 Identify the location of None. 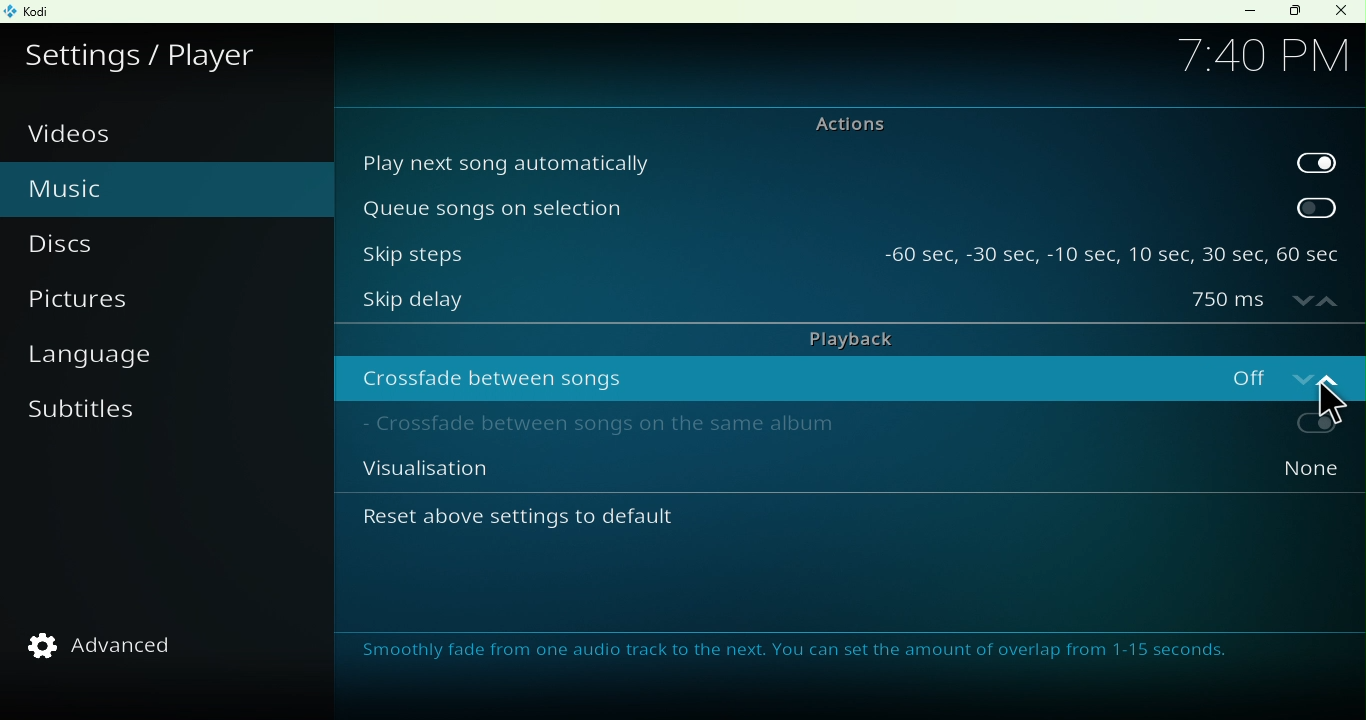
(1267, 475).